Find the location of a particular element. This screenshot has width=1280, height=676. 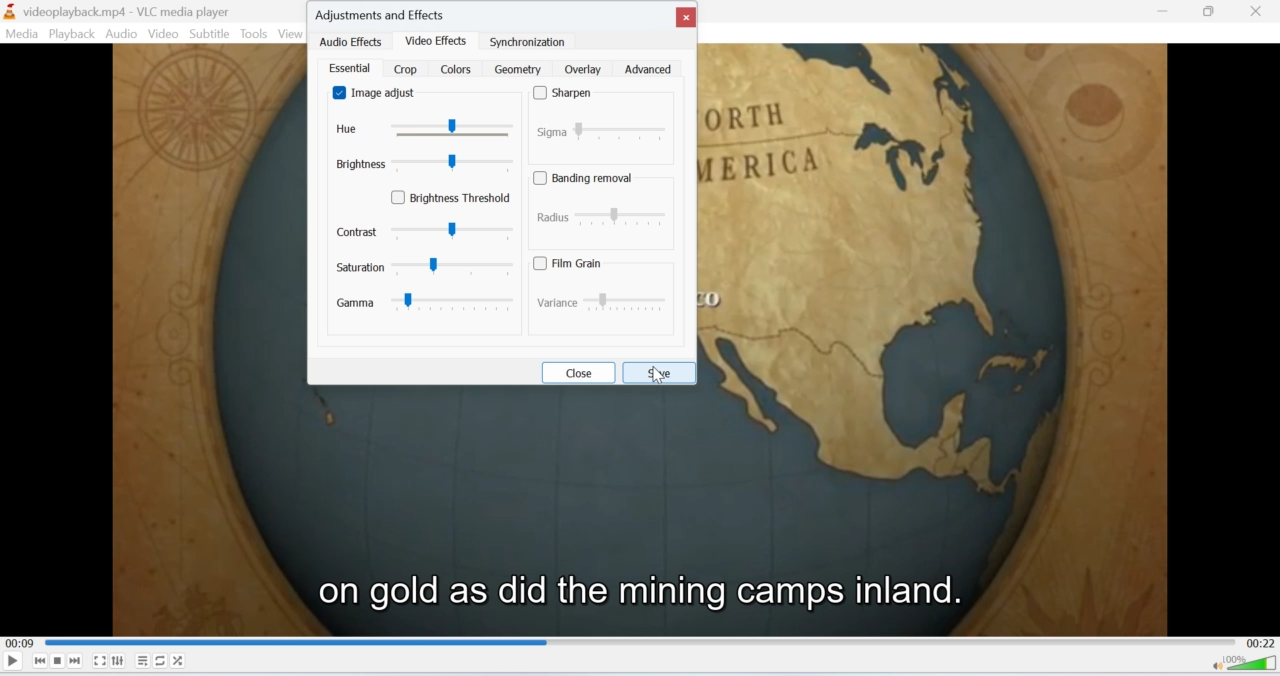

00:09 is located at coordinates (18, 642).